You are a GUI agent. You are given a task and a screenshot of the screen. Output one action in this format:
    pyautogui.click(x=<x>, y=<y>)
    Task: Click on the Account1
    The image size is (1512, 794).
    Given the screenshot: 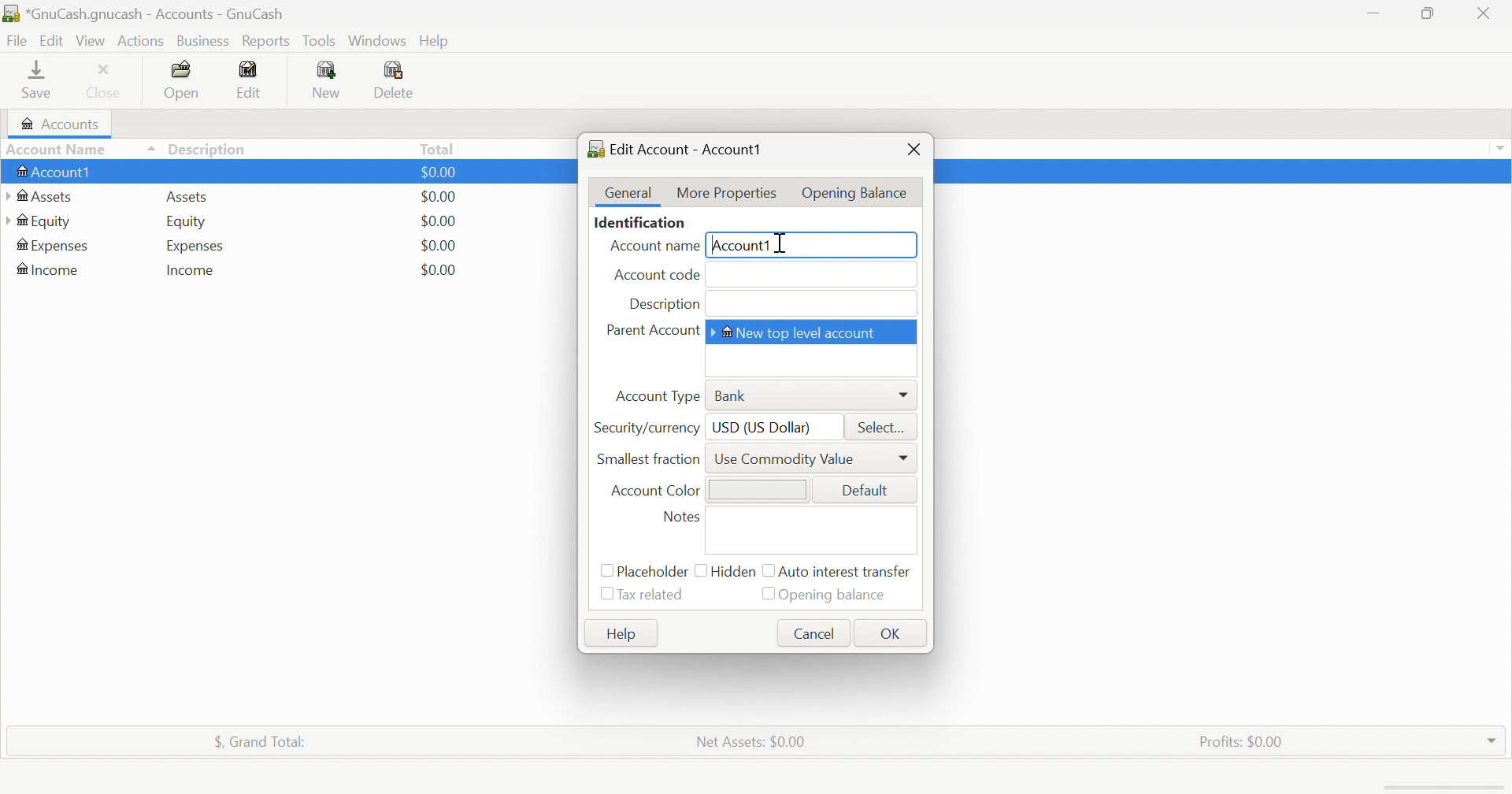 What is the action you would take?
    pyautogui.click(x=740, y=246)
    